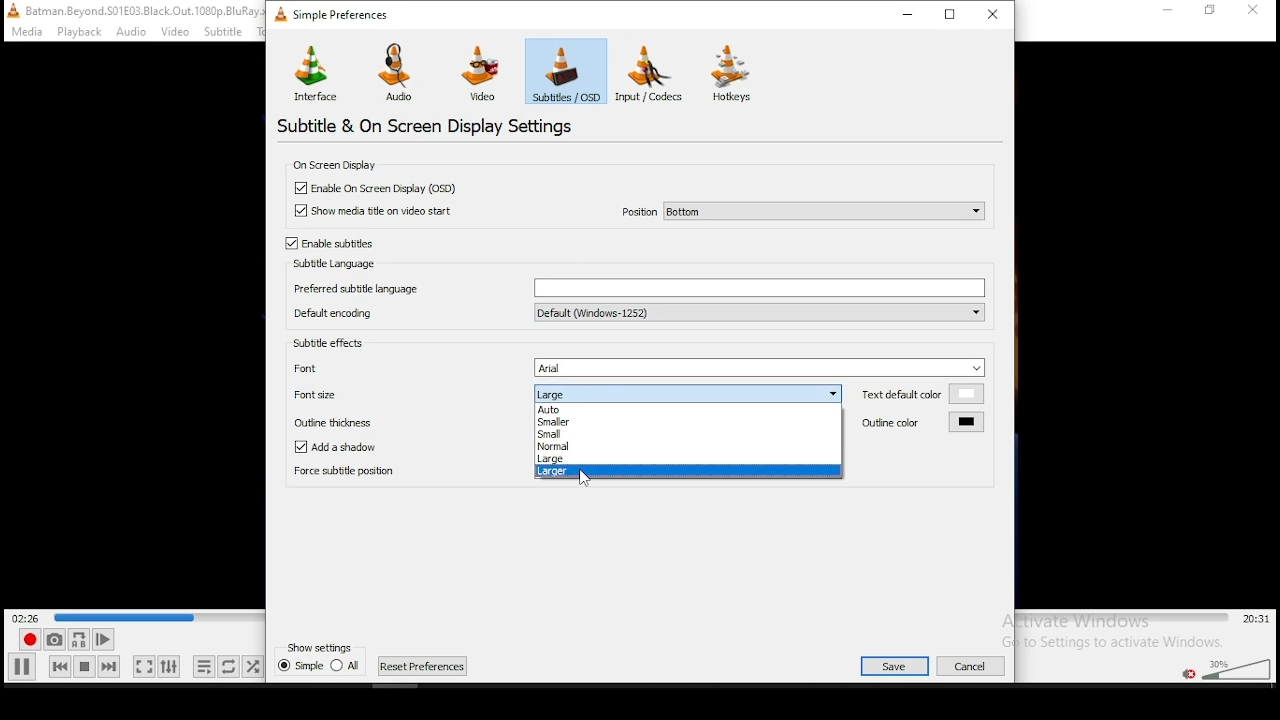 The image size is (1280, 720). What do you see at coordinates (406, 421) in the screenshot?
I see `outline thickness ` at bounding box center [406, 421].